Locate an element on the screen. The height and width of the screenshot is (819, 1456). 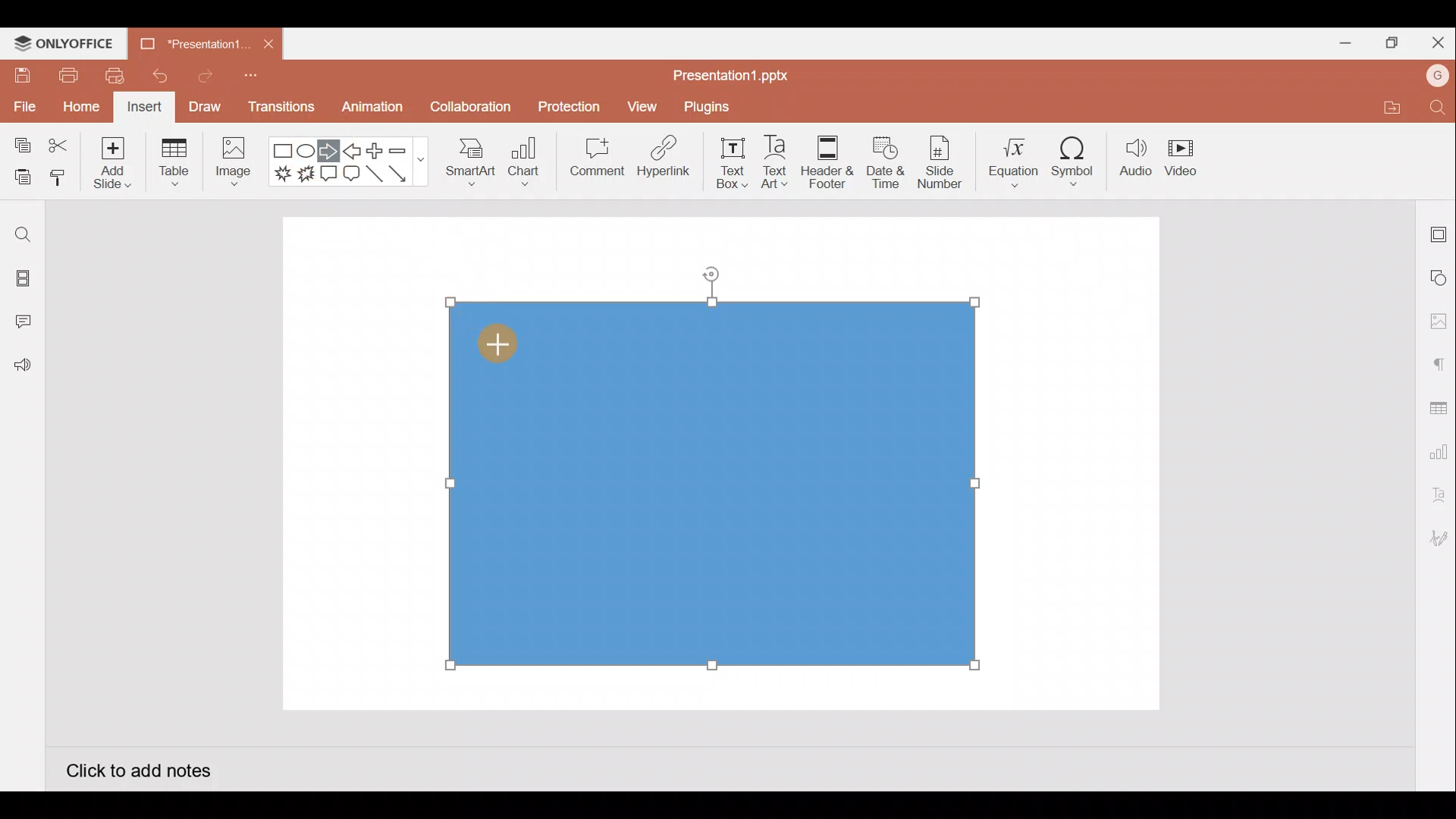
View is located at coordinates (645, 103).